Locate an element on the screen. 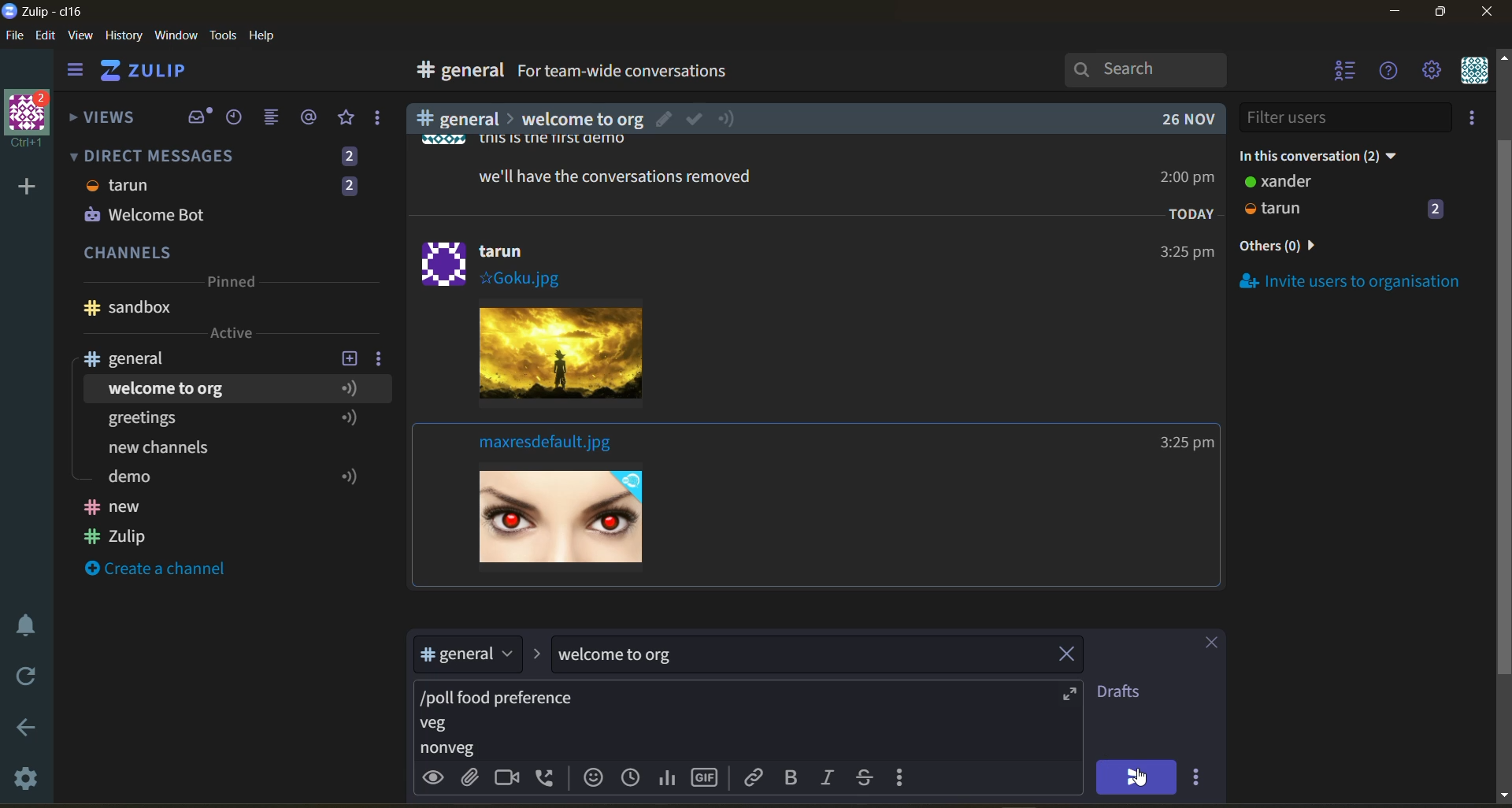 The height and width of the screenshot is (808, 1512). maximize is located at coordinates (1437, 17).